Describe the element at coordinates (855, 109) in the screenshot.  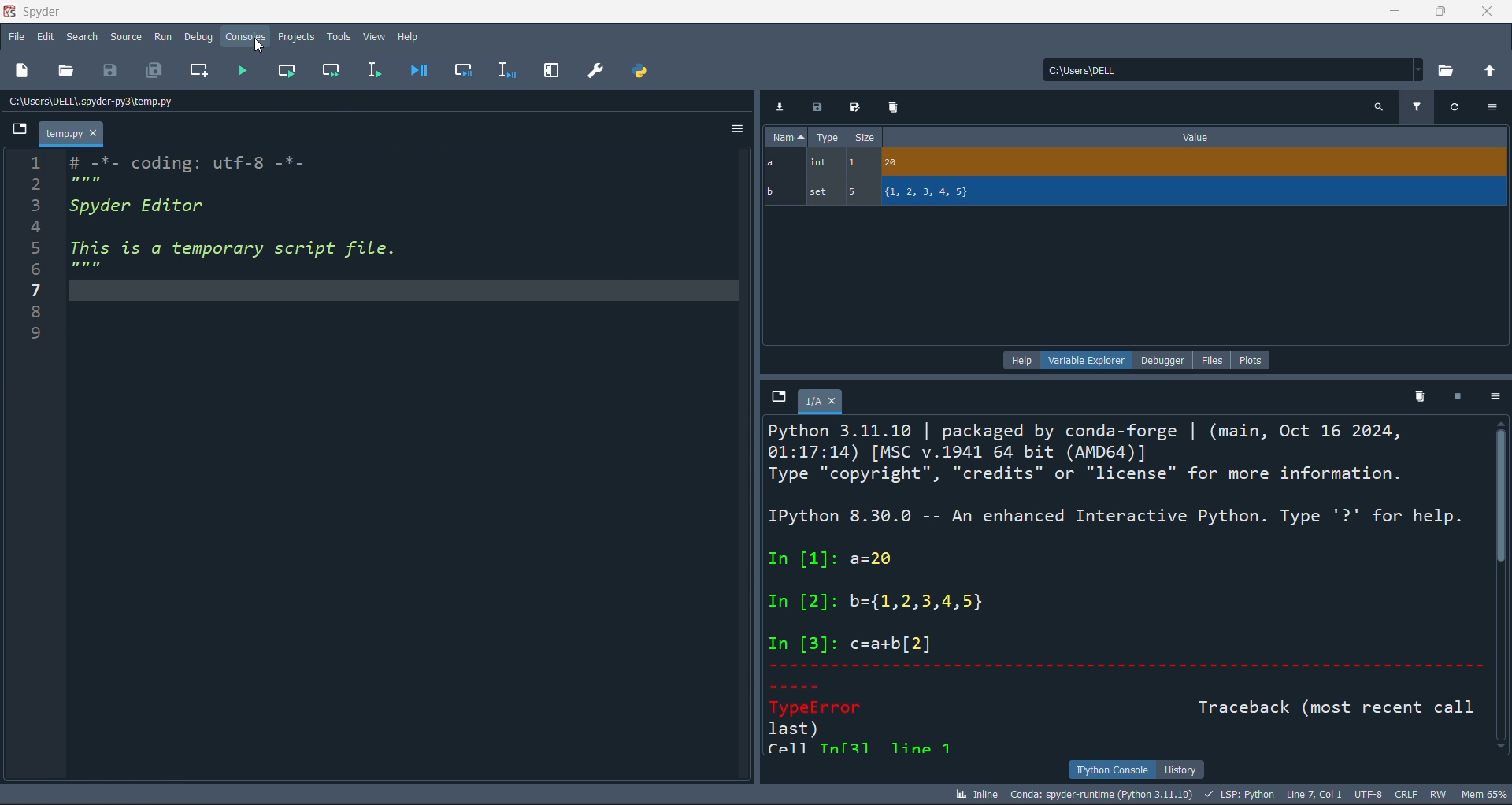
I see `save` at that location.